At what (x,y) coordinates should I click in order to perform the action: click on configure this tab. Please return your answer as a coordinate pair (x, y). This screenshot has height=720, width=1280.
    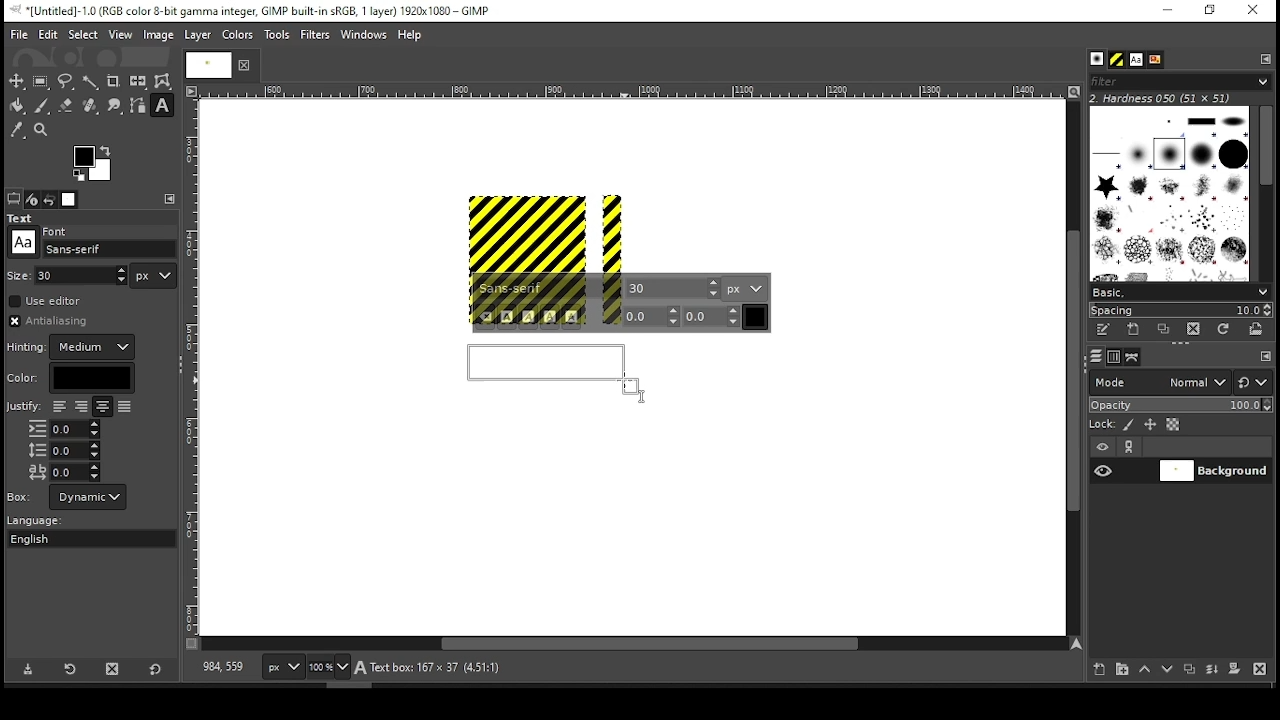
    Looking at the image, I should click on (172, 199).